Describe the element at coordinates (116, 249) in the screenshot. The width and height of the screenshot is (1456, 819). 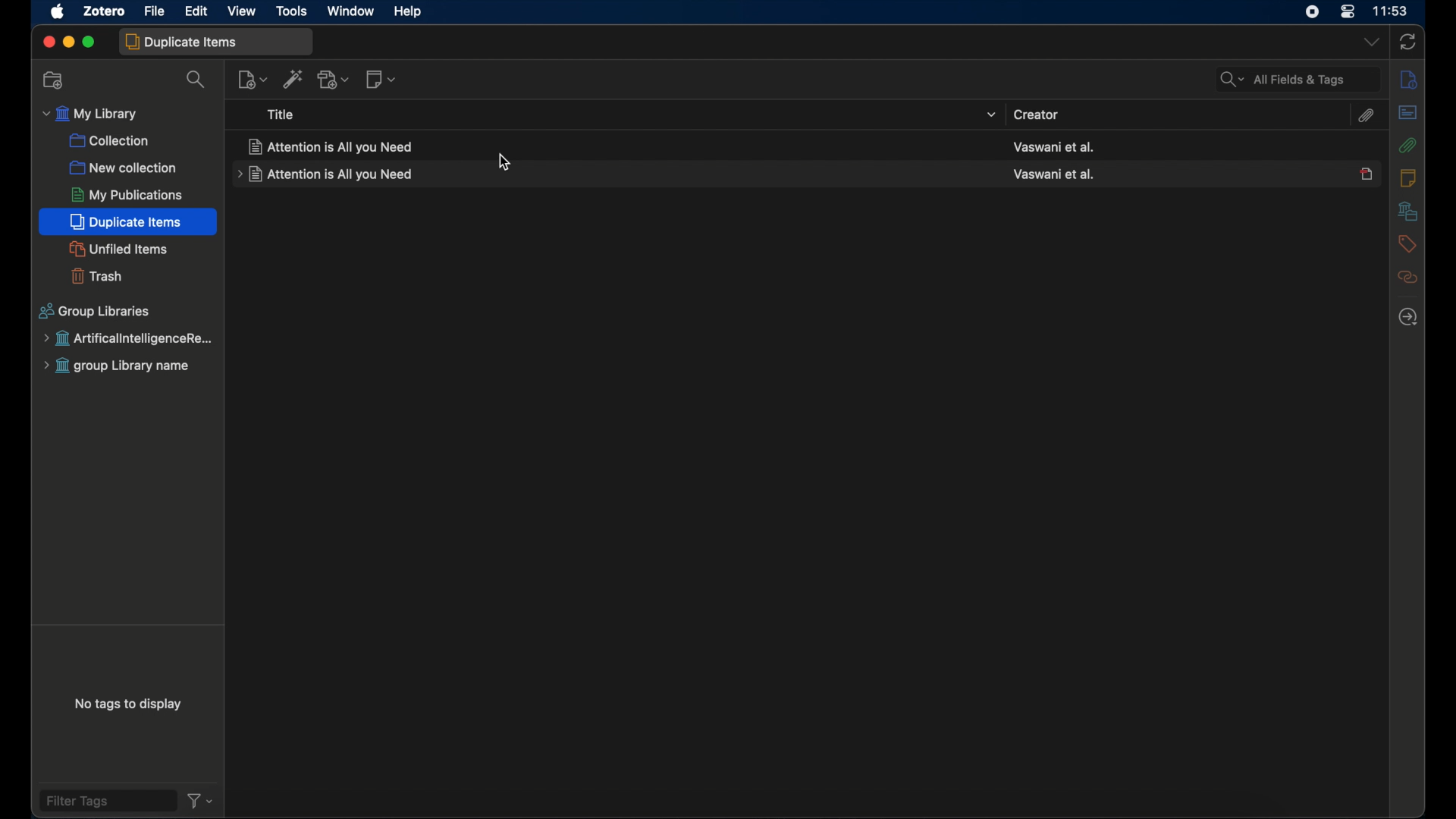
I see `unfiled items` at that location.